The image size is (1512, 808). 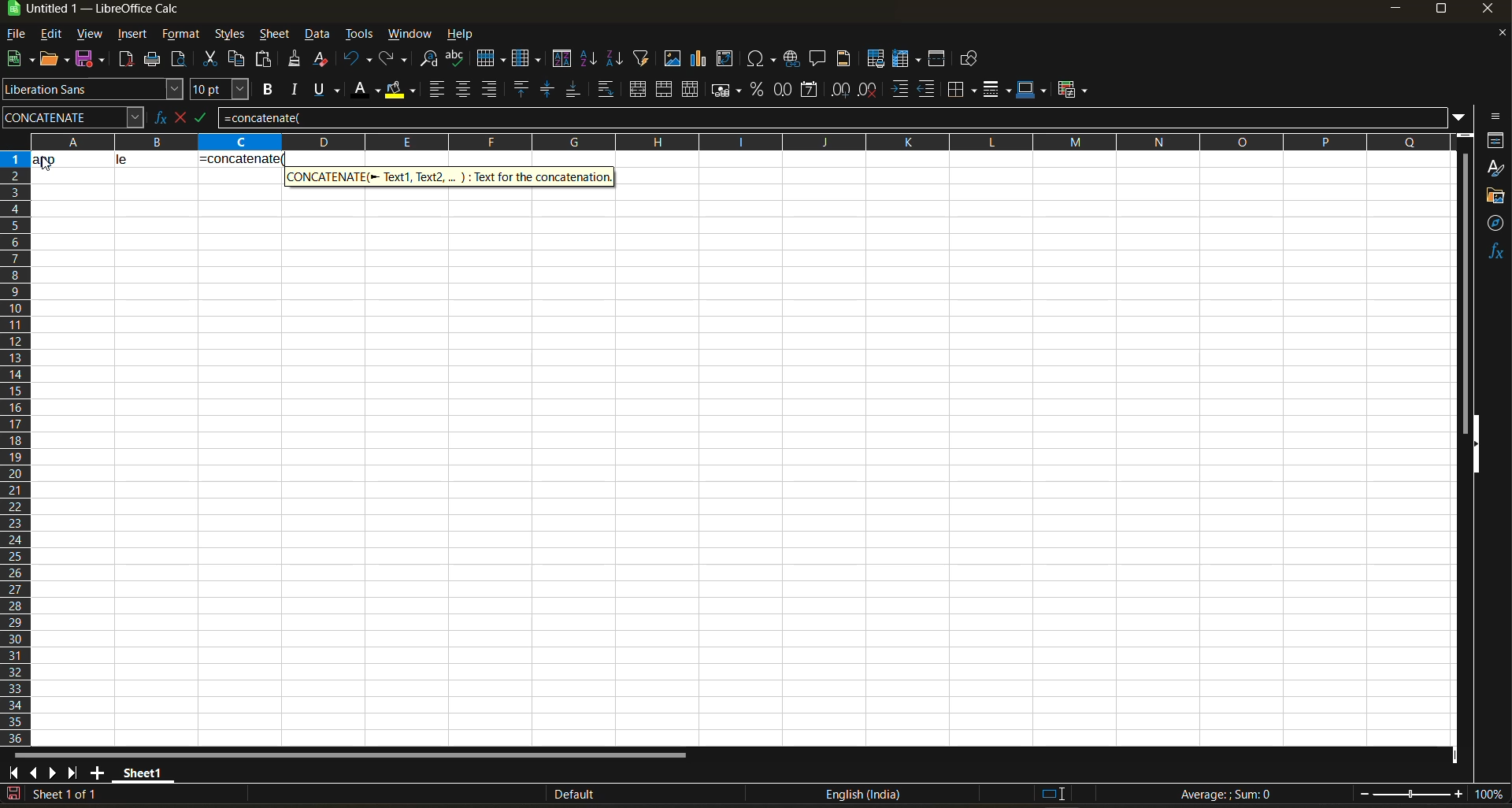 What do you see at coordinates (72, 117) in the screenshot?
I see `cell address` at bounding box center [72, 117].